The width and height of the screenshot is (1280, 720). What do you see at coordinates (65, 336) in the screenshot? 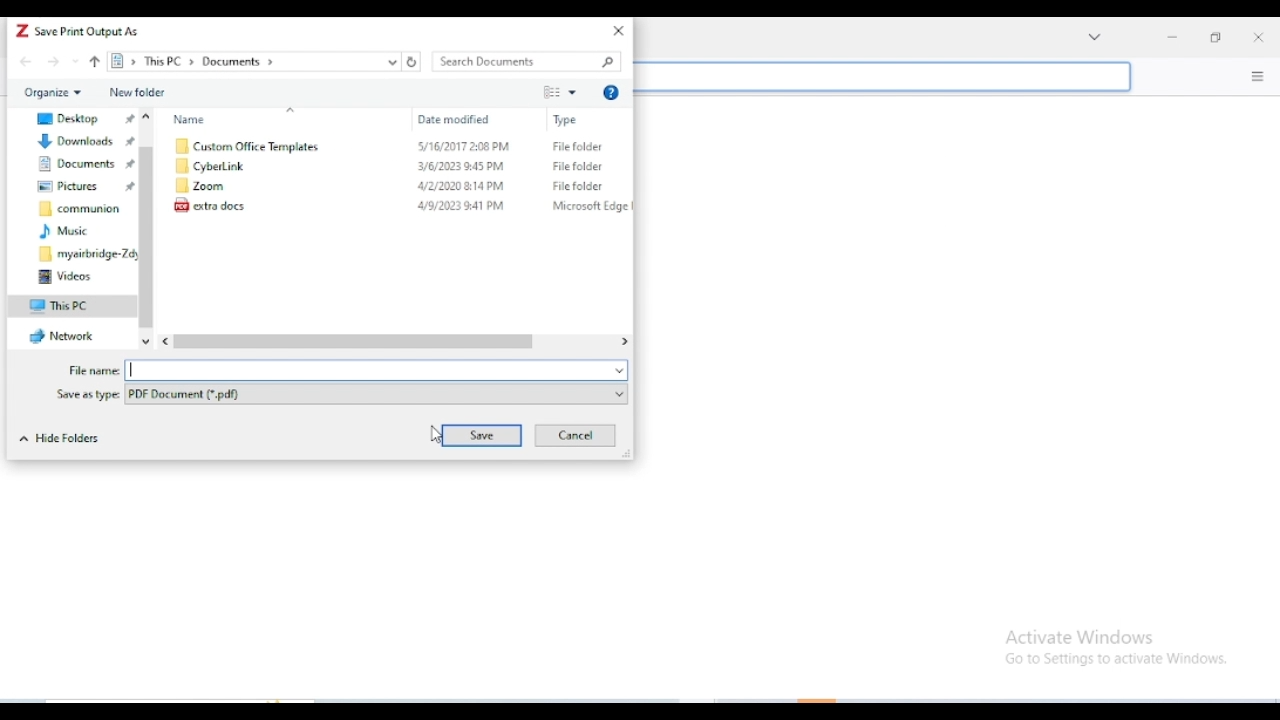
I see `network` at bounding box center [65, 336].